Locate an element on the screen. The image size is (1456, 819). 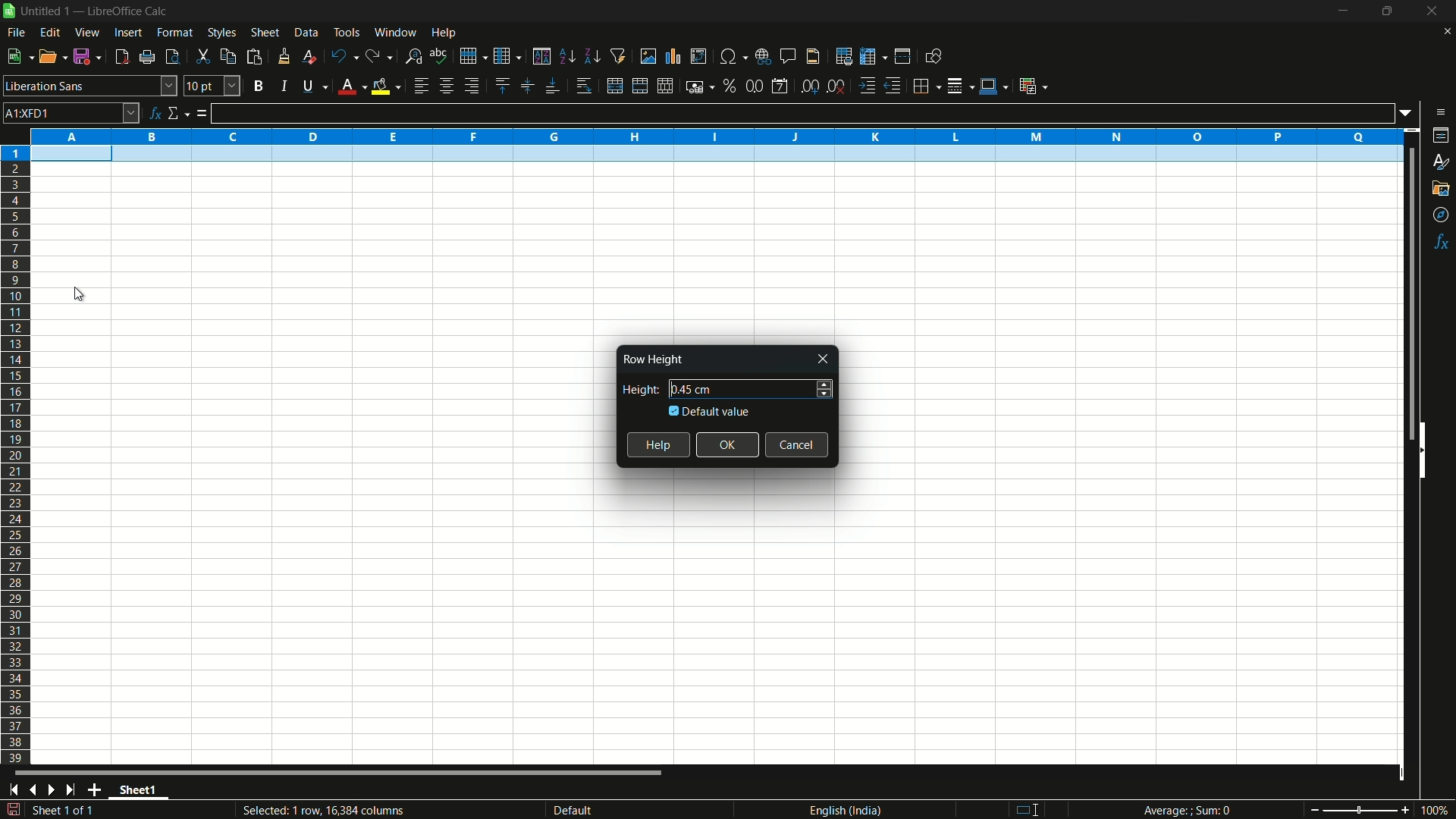
align center is located at coordinates (446, 86).